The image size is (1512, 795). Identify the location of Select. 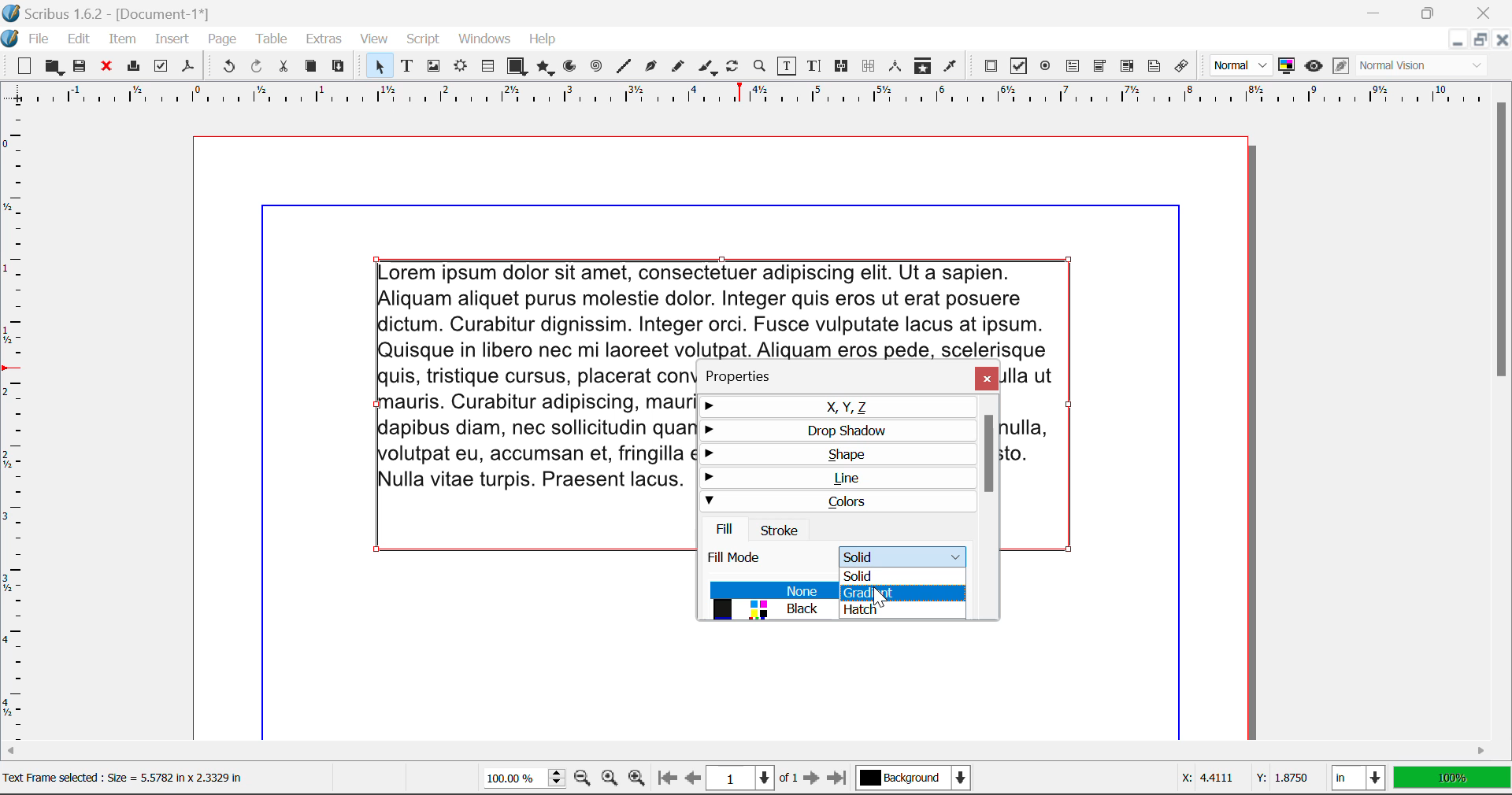
(378, 66).